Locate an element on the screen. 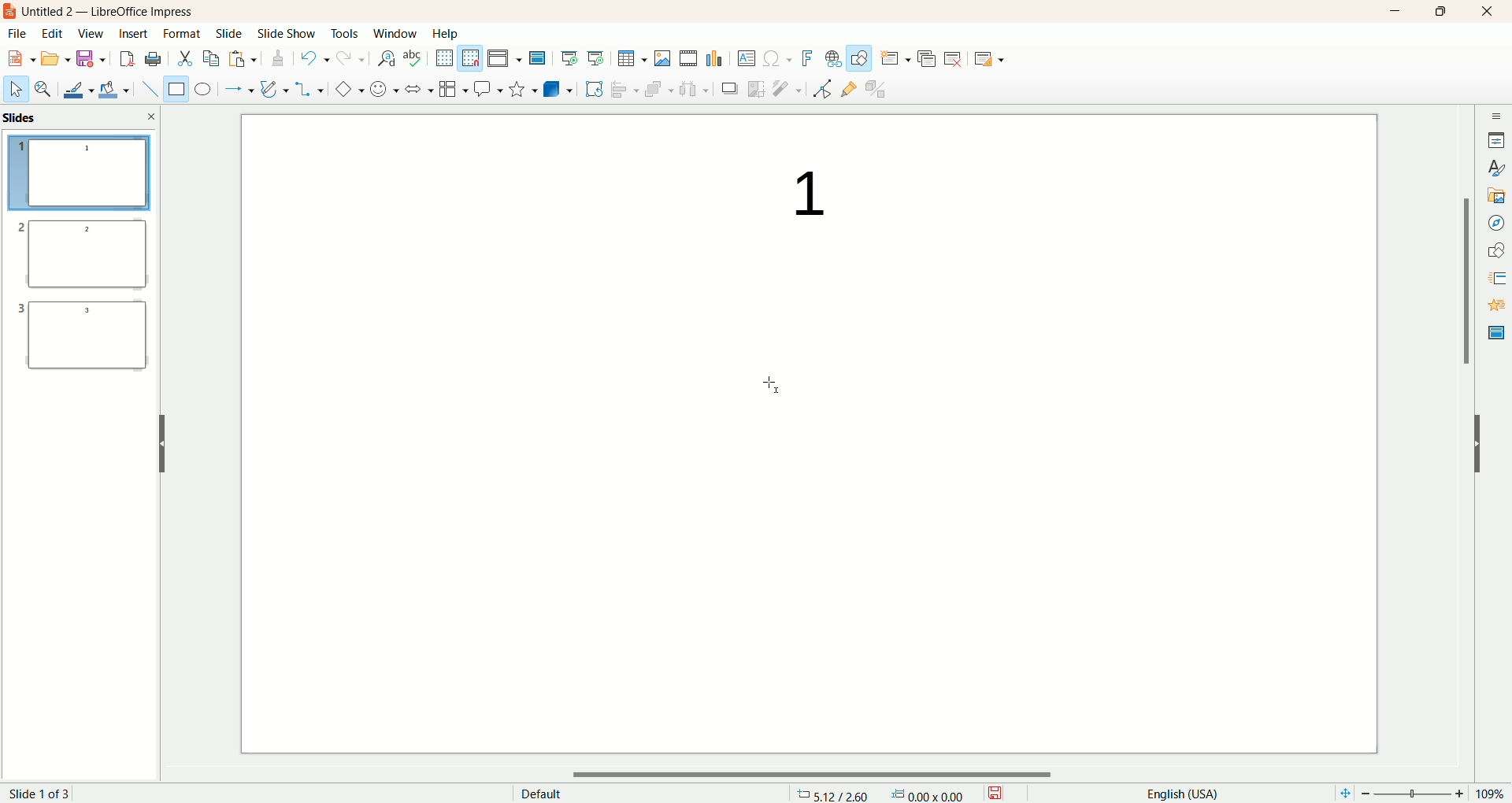 Image resolution: width=1512 pixels, height=803 pixels. toggle extrusion is located at coordinates (879, 90).